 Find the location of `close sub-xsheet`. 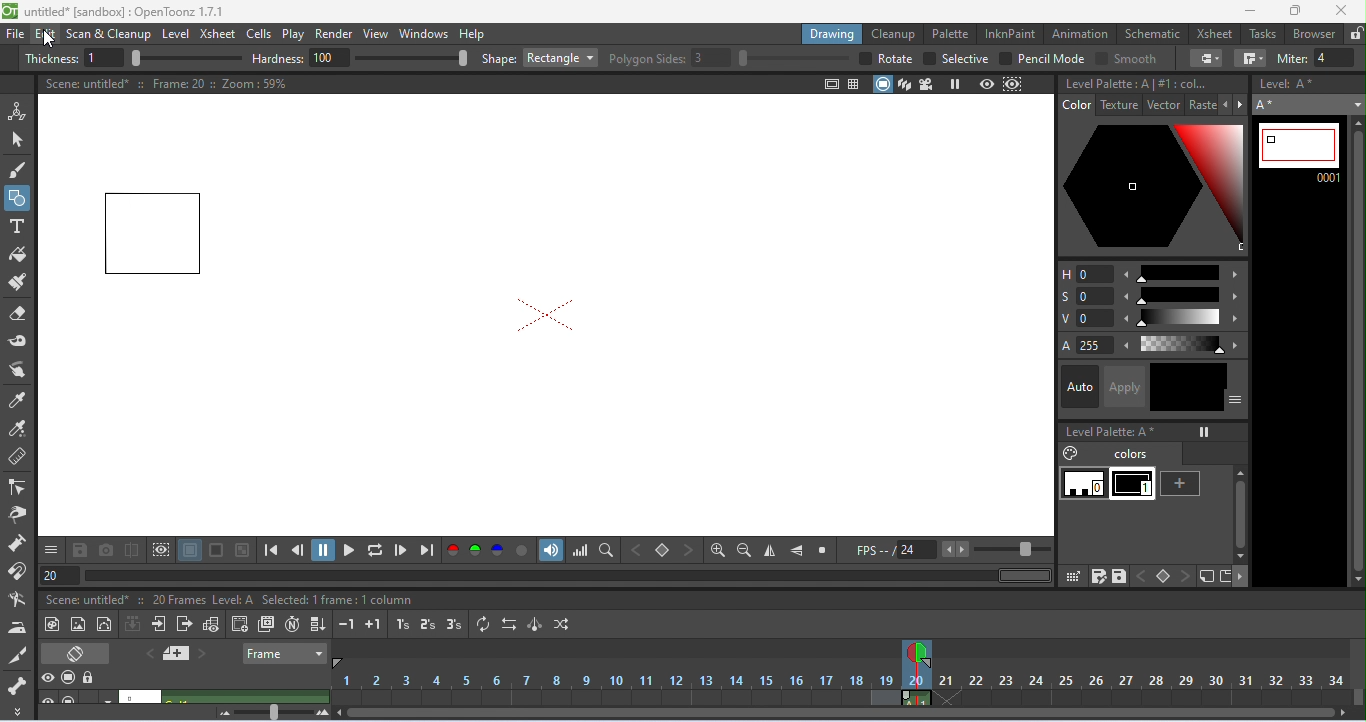

close sub-xsheet is located at coordinates (184, 623).